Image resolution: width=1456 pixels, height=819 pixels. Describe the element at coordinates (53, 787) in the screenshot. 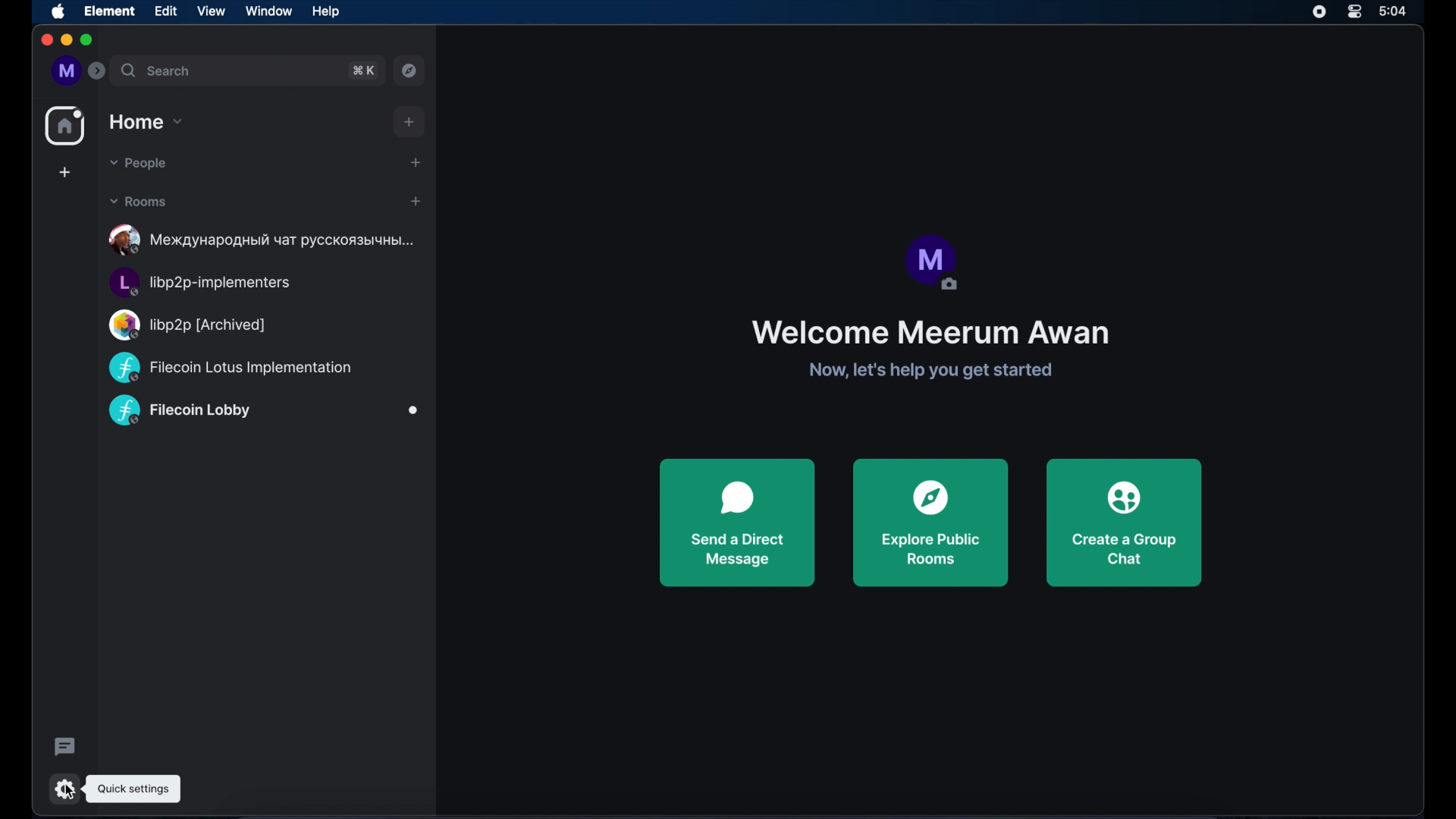

I see `cursor` at that location.